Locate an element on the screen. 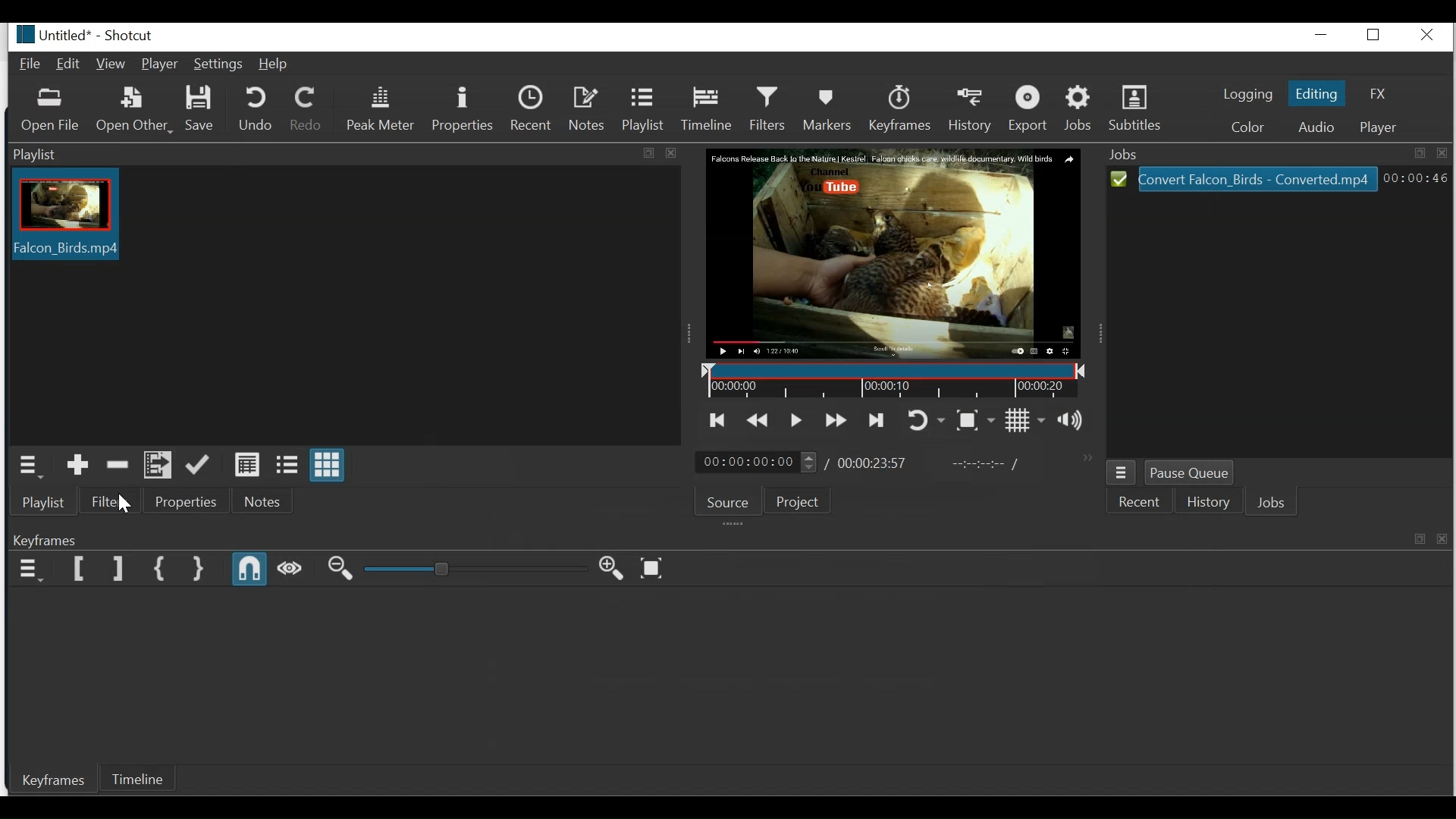  Project is located at coordinates (802, 501).